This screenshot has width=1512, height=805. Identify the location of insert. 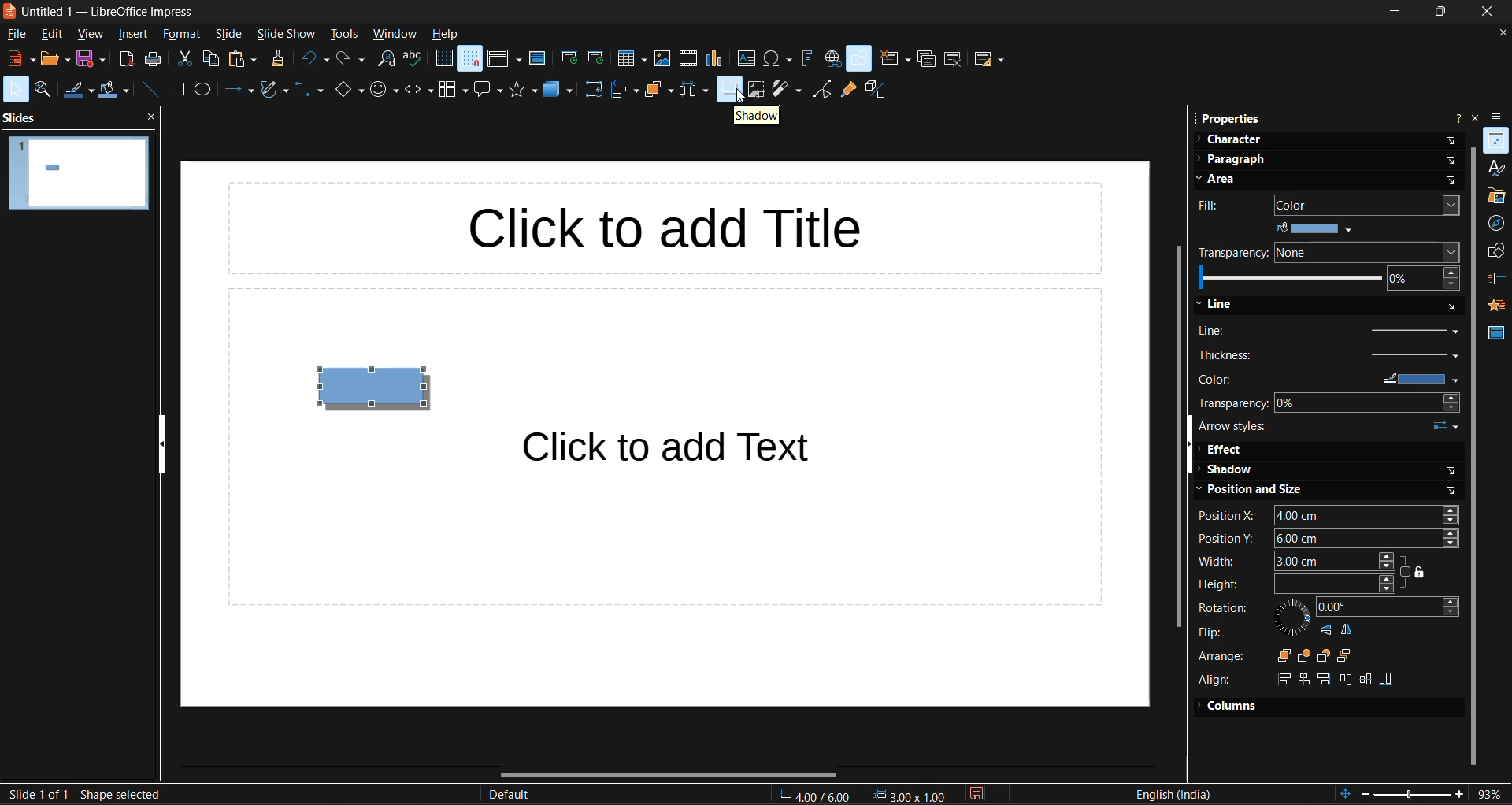
(133, 35).